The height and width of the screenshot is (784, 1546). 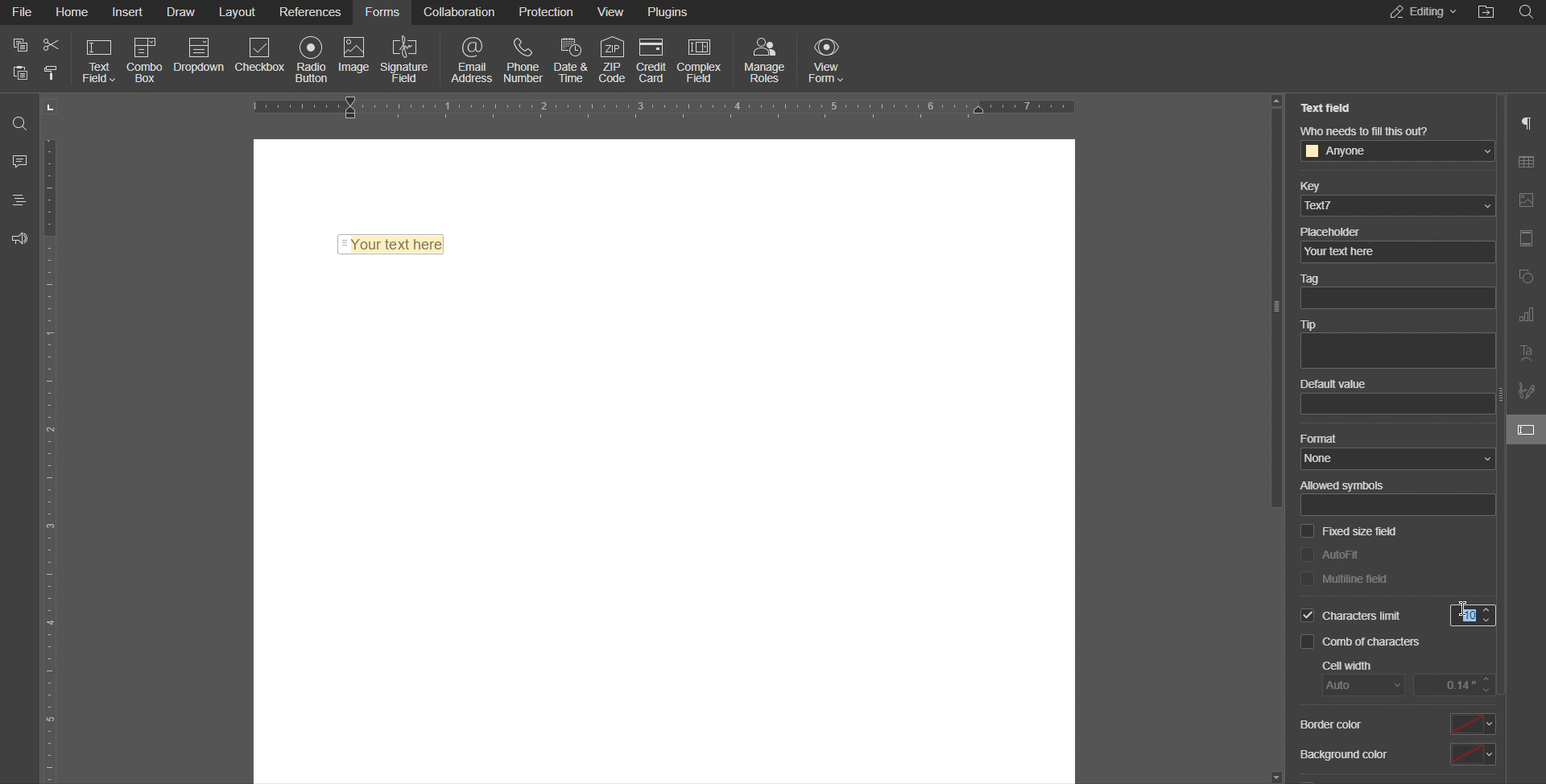 I want to click on paste, so click(x=51, y=74).